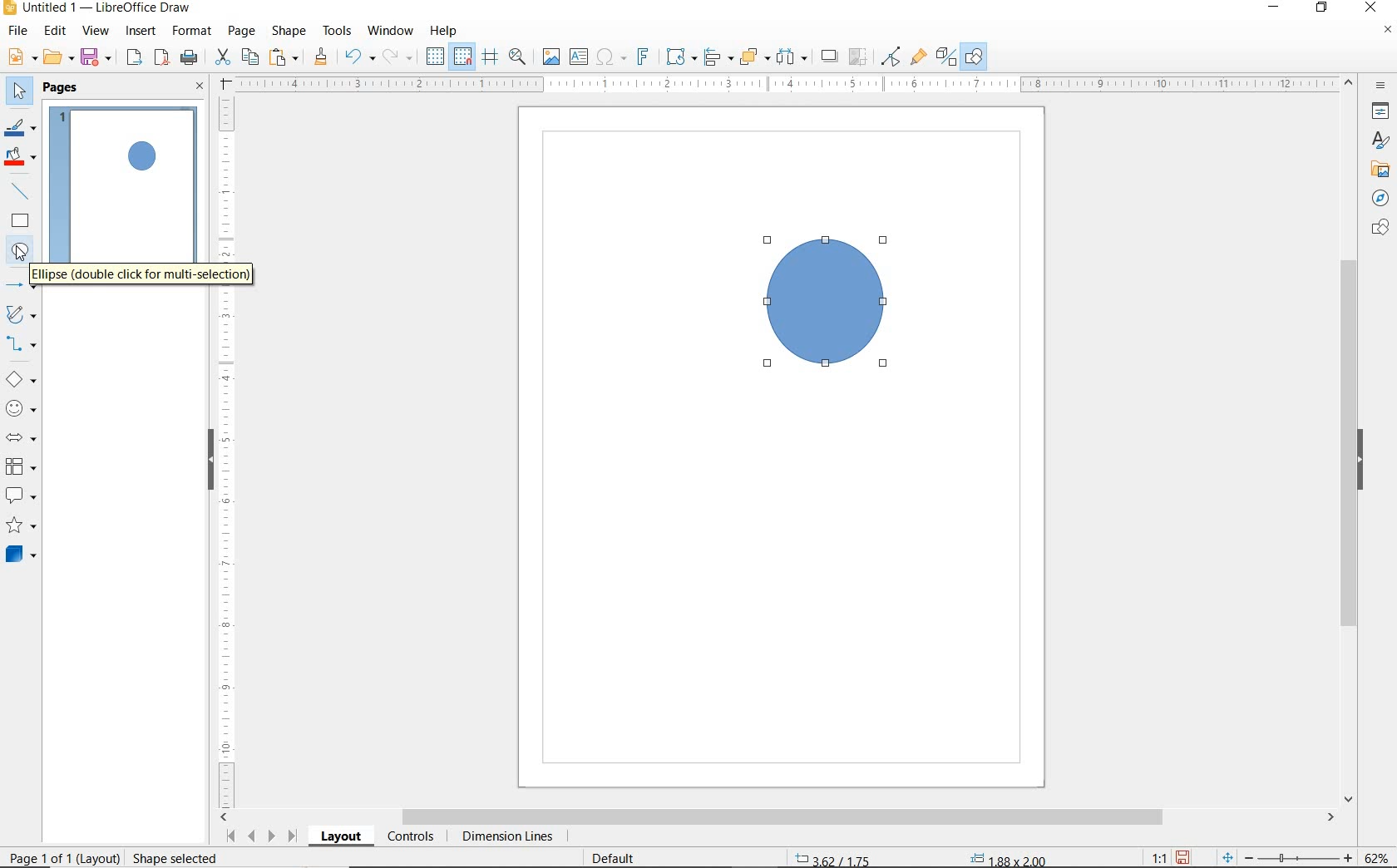 This screenshot has width=1397, height=868. I want to click on ZOOM FACTOR, so click(1377, 855).